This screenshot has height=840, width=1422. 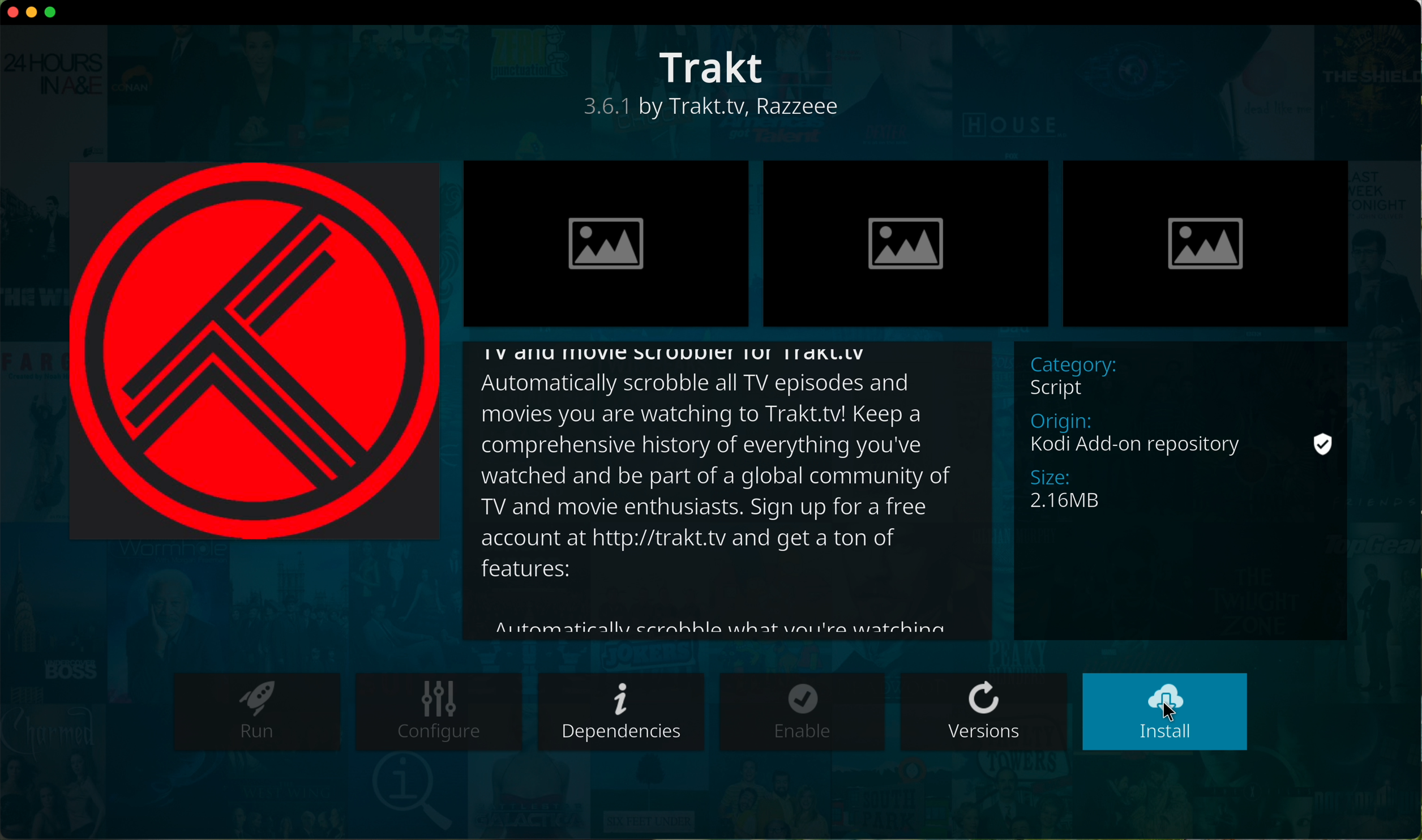 What do you see at coordinates (803, 712) in the screenshot?
I see `enable` at bounding box center [803, 712].